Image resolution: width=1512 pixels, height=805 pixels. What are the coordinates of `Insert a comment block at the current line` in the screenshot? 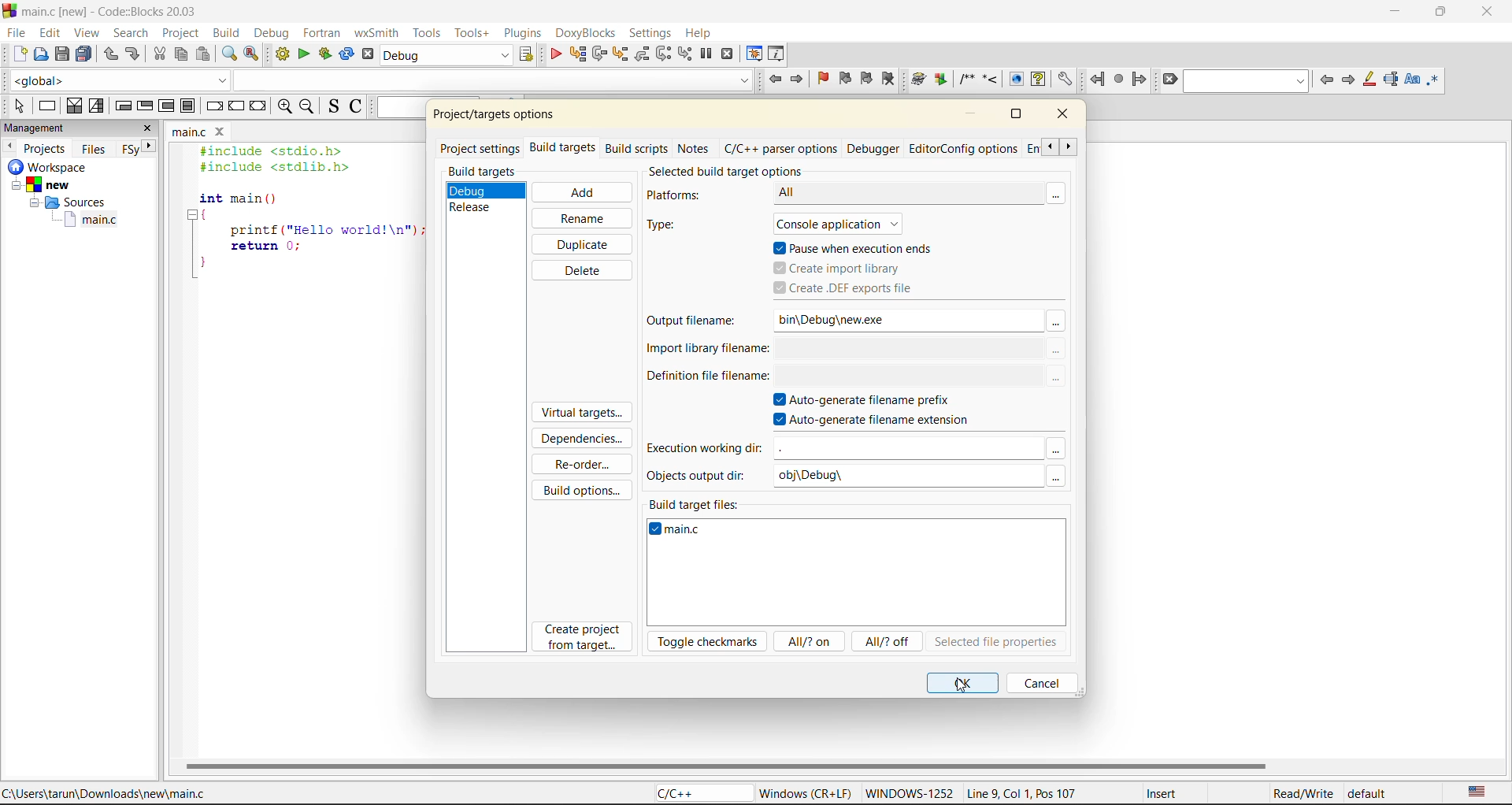 It's located at (966, 80).